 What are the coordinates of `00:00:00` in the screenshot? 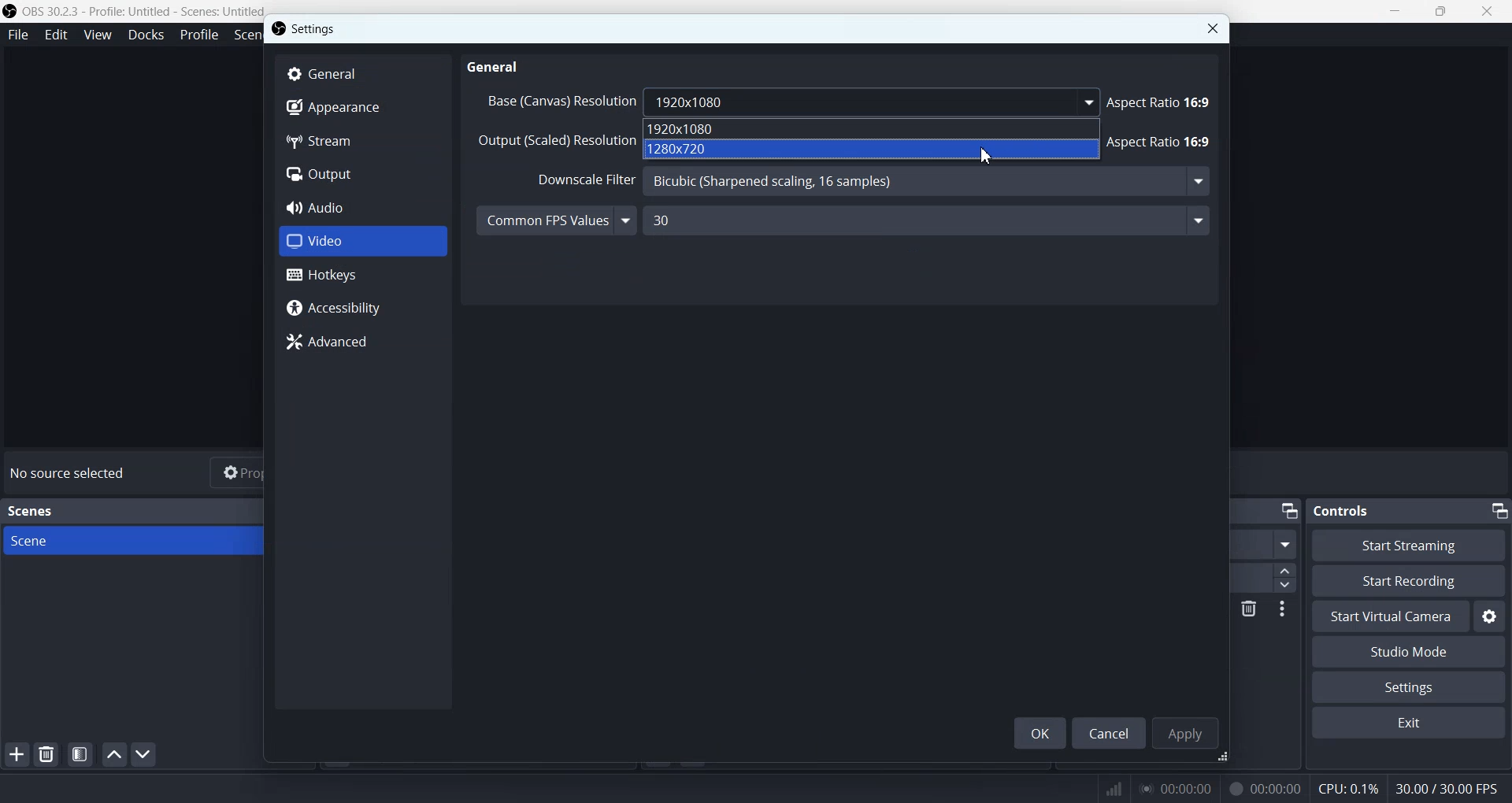 It's located at (1177, 787).